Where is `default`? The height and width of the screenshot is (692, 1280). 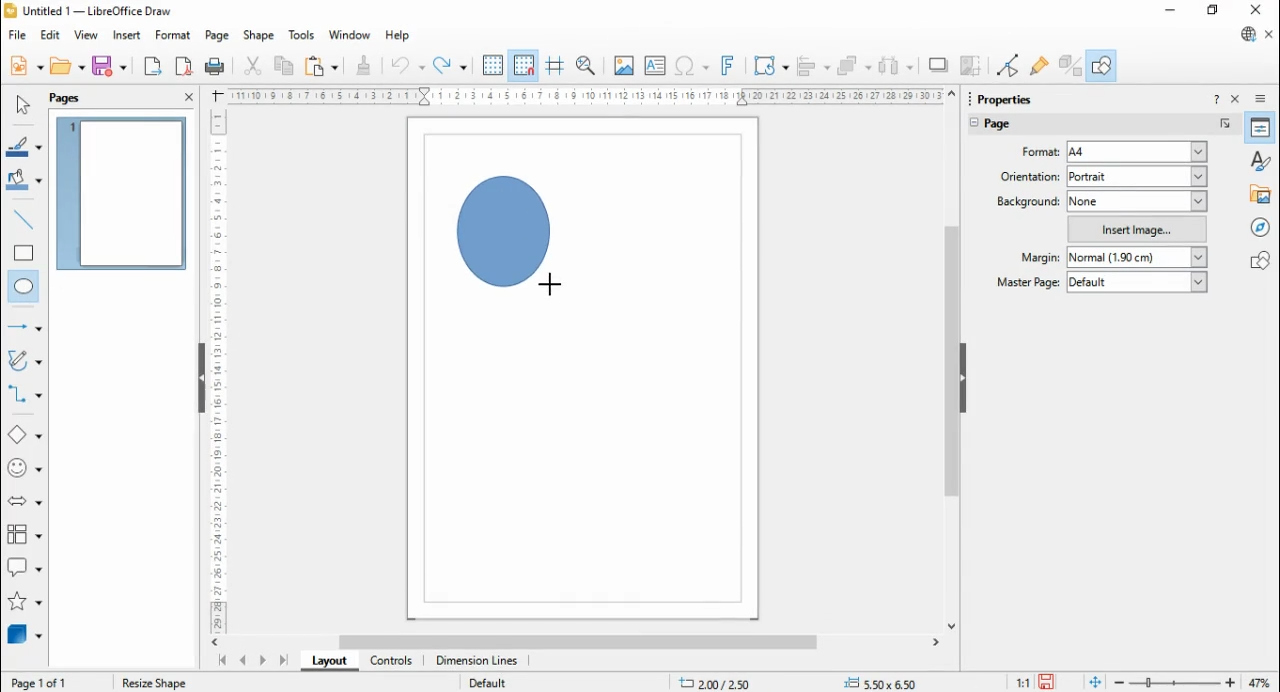 default is located at coordinates (1137, 281).